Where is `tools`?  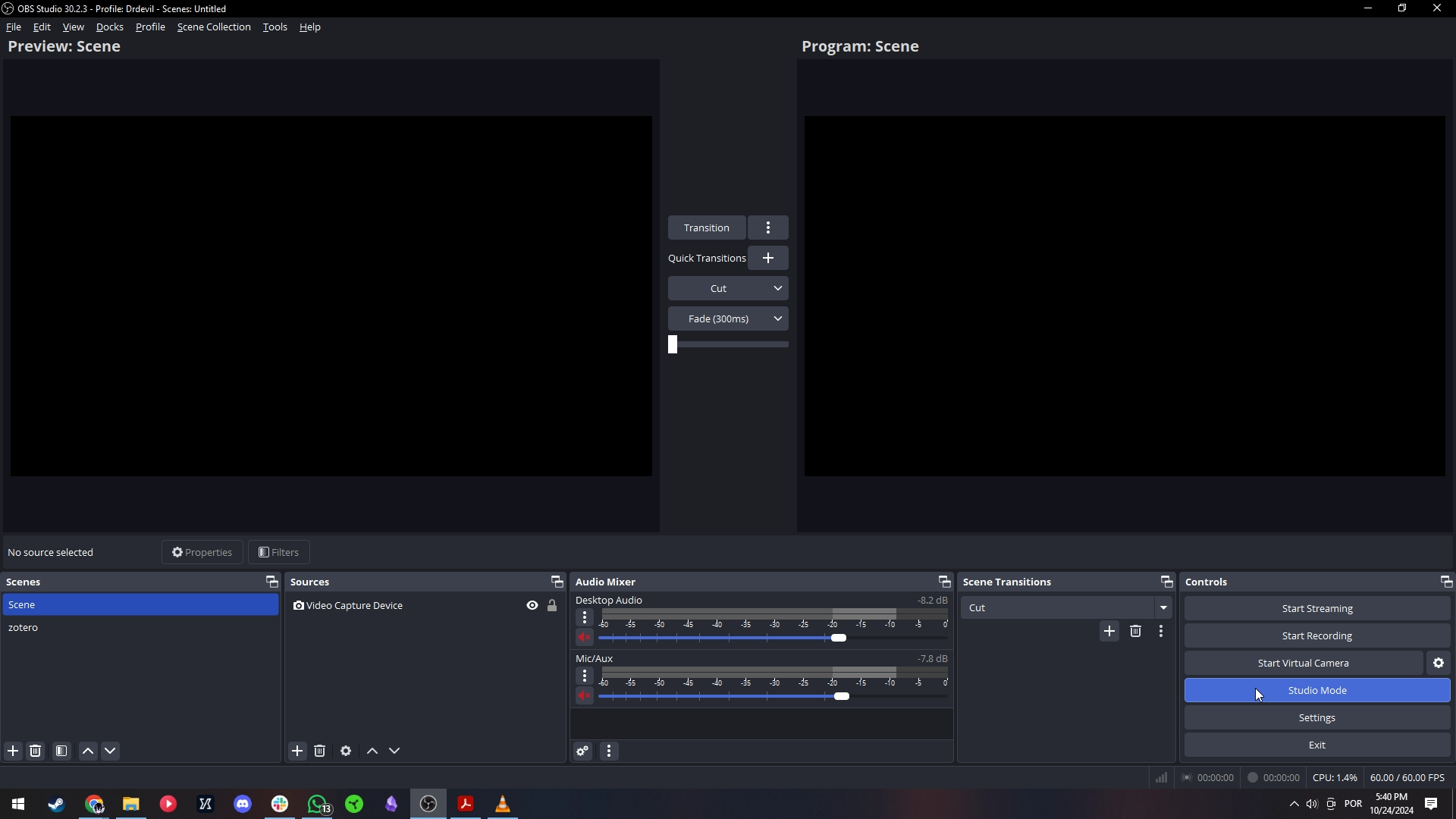
tools is located at coordinates (55, 803).